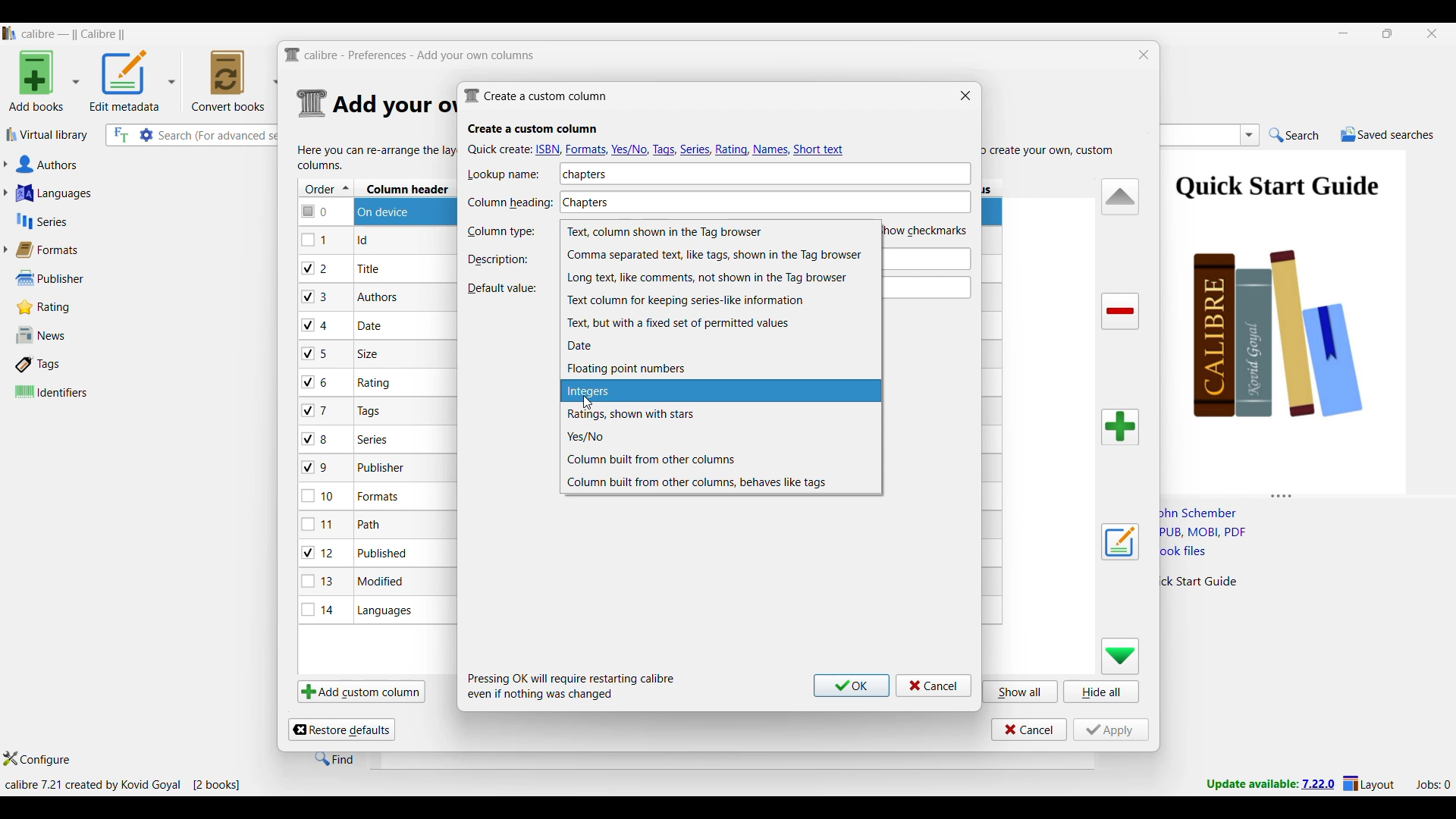 This screenshot has width=1456, height=819. I want to click on Integers, highlighted by cursor, so click(720, 391).